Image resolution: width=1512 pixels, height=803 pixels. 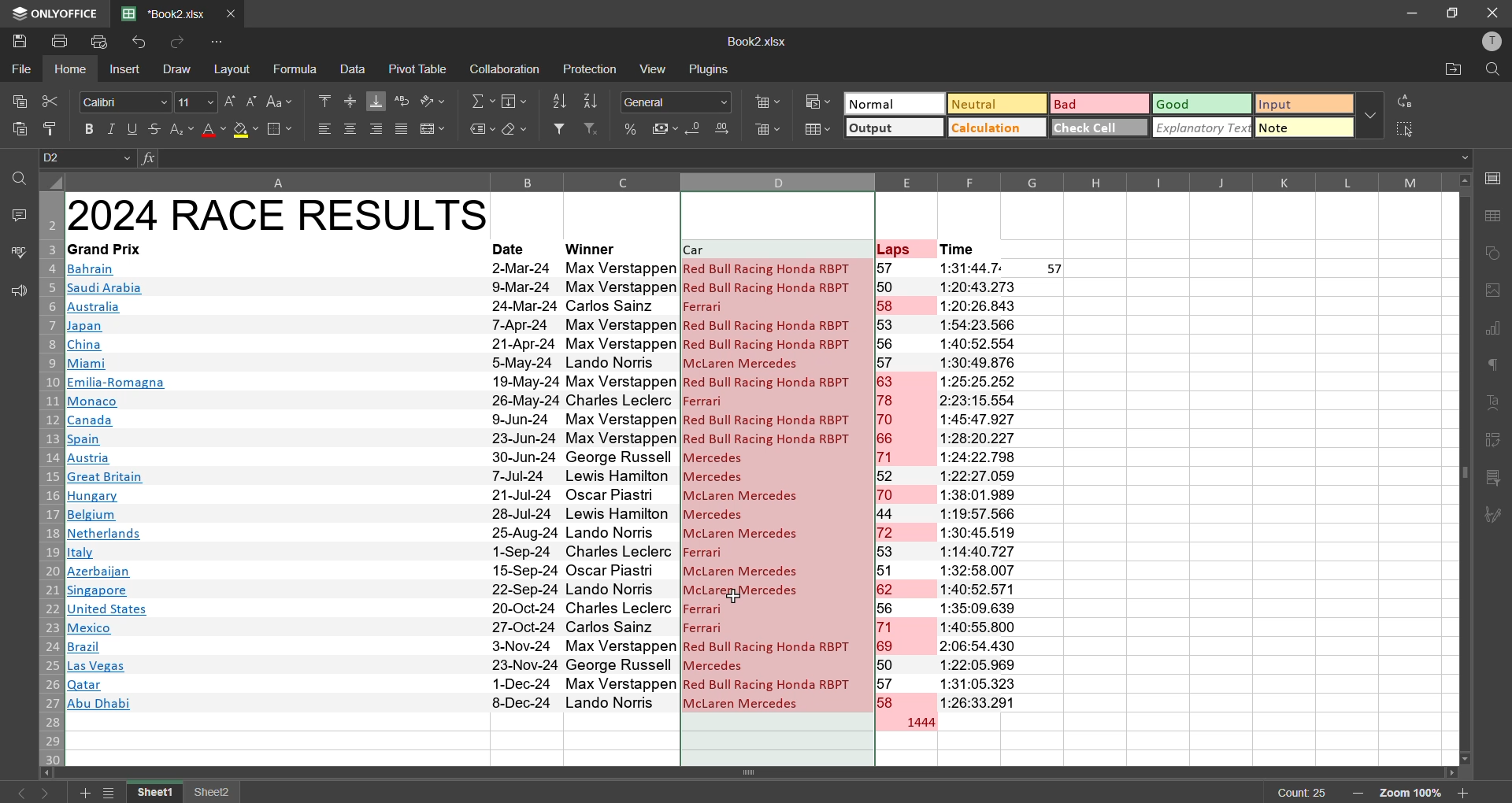 What do you see at coordinates (766, 100) in the screenshot?
I see `insert cells` at bounding box center [766, 100].